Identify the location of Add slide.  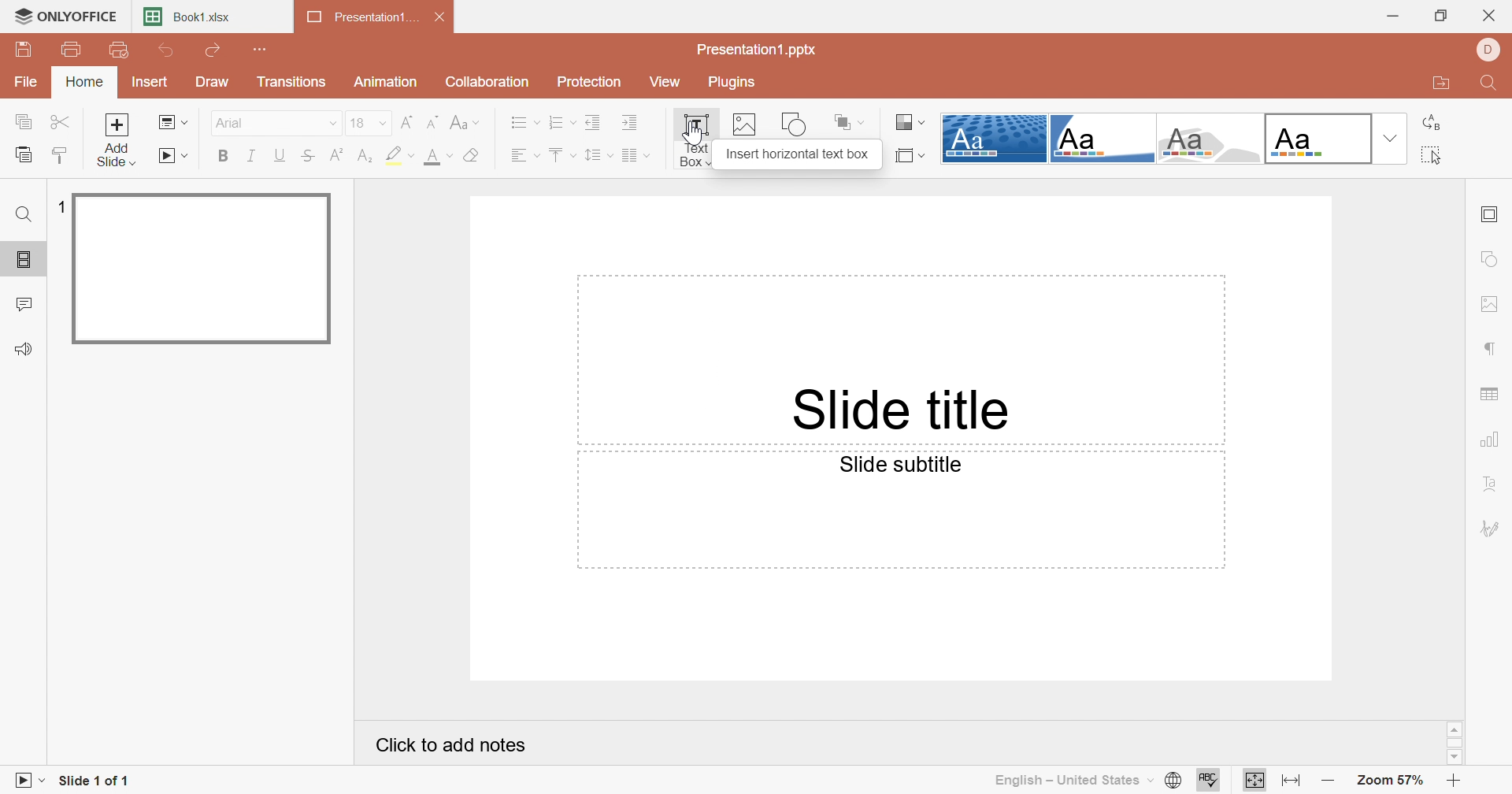
(117, 139).